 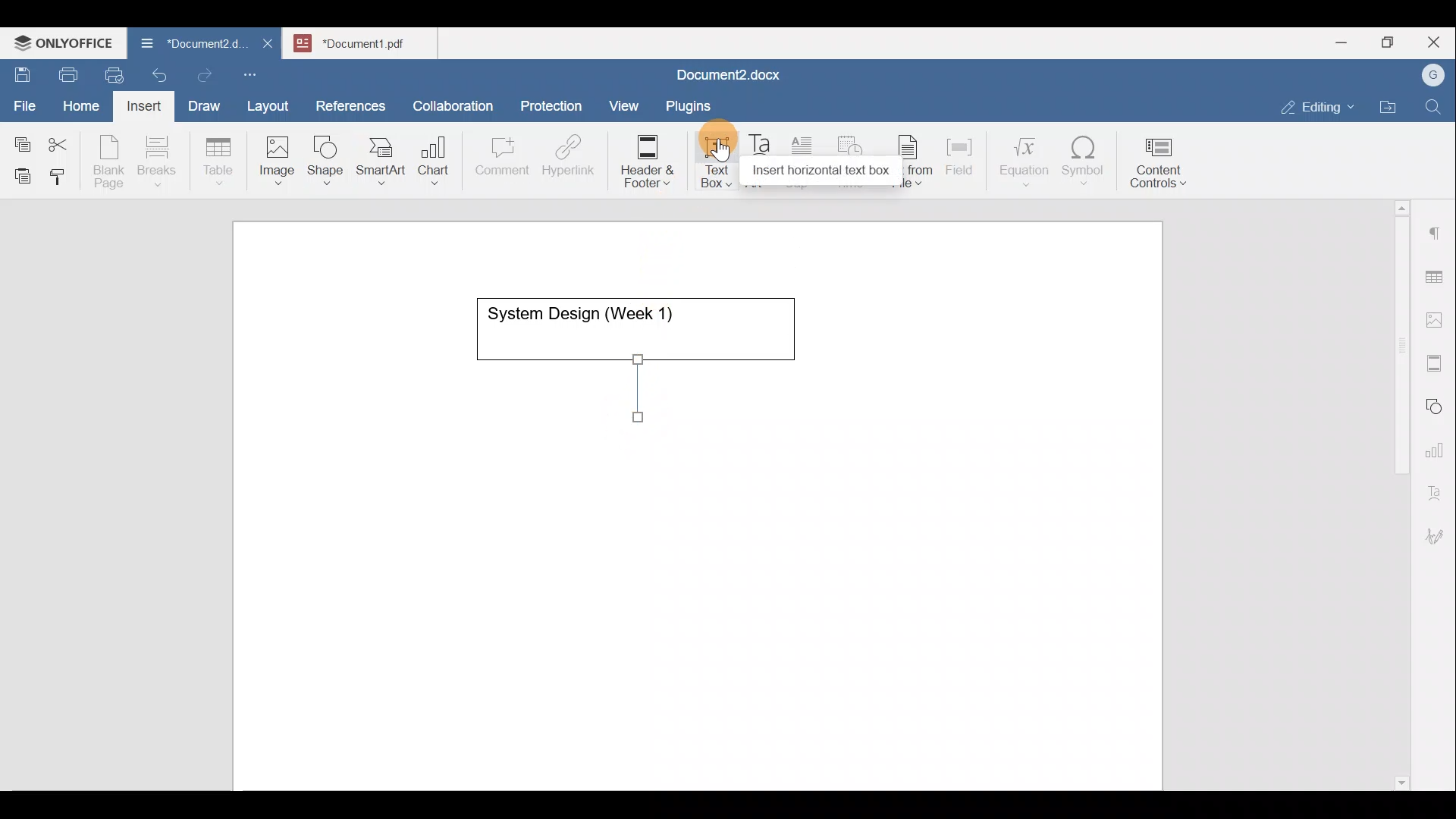 What do you see at coordinates (1437, 275) in the screenshot?
I see `Table settings` at bounding box center [1437, 275].